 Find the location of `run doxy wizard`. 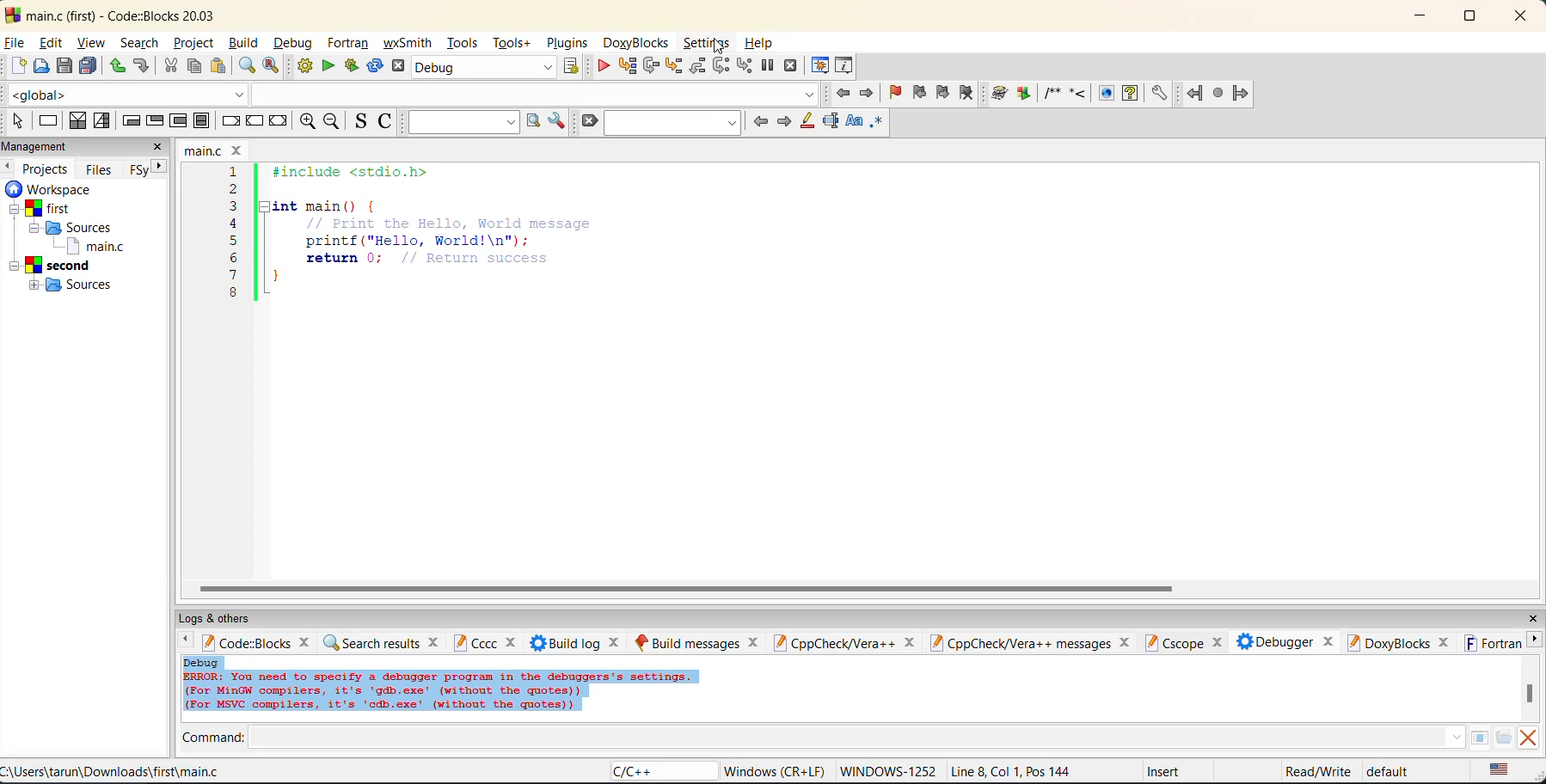

run doxy wizard is located at coordinates (1001, 95).